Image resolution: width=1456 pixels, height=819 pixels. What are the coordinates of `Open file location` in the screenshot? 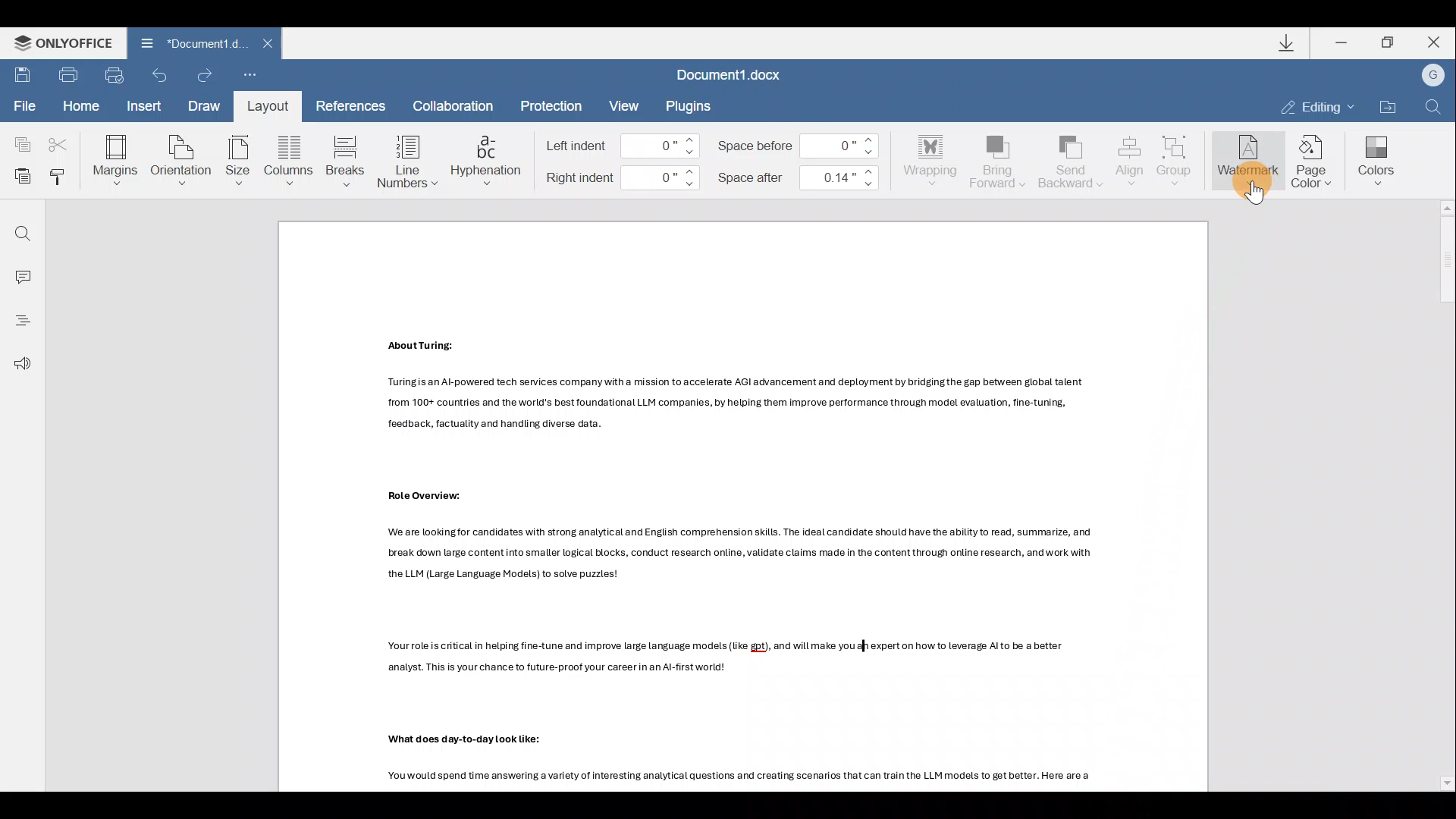 It's located at (1385, 102).